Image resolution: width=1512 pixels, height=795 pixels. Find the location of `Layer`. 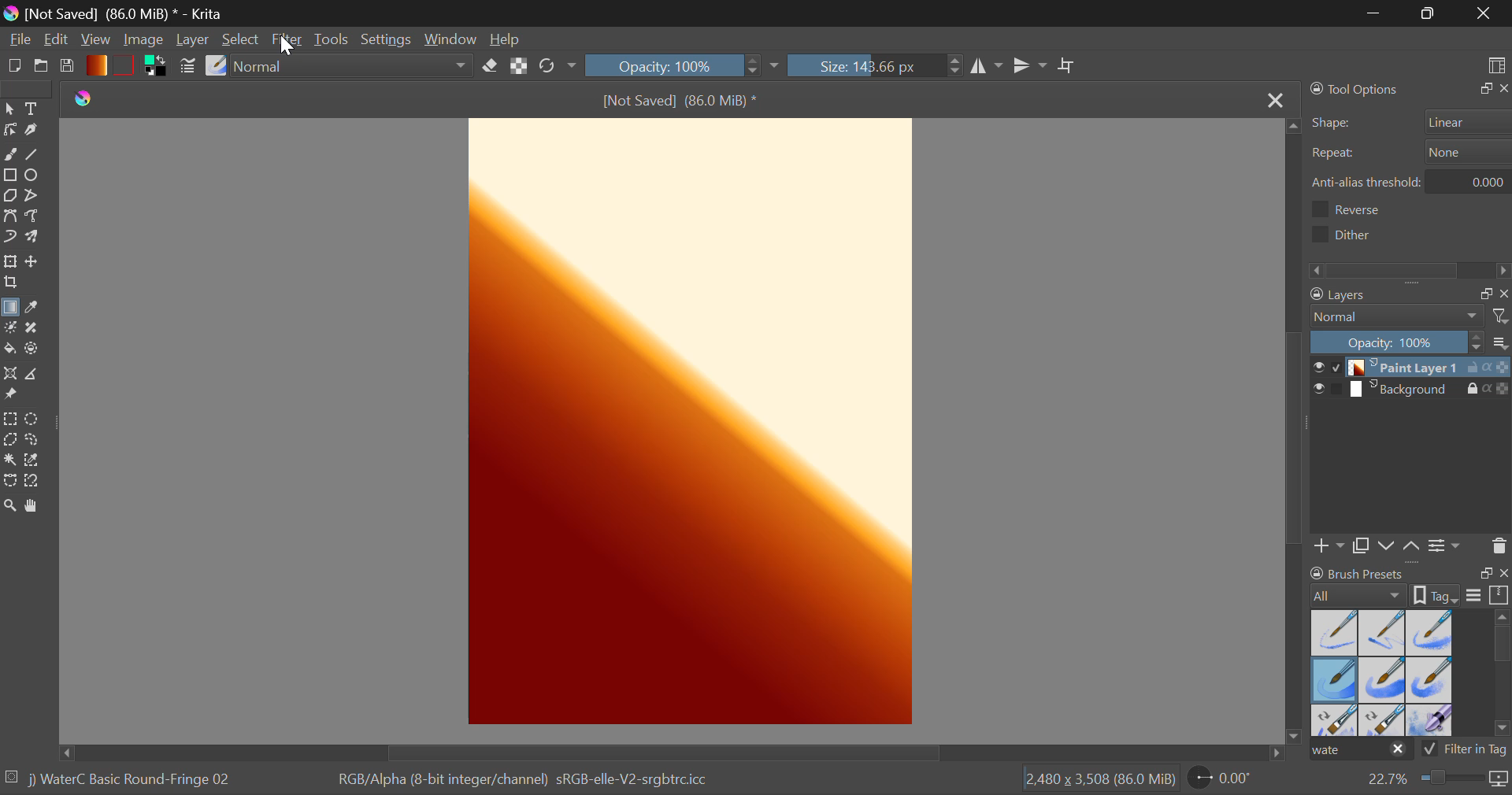

Layer is located at coordinates (195, 39).